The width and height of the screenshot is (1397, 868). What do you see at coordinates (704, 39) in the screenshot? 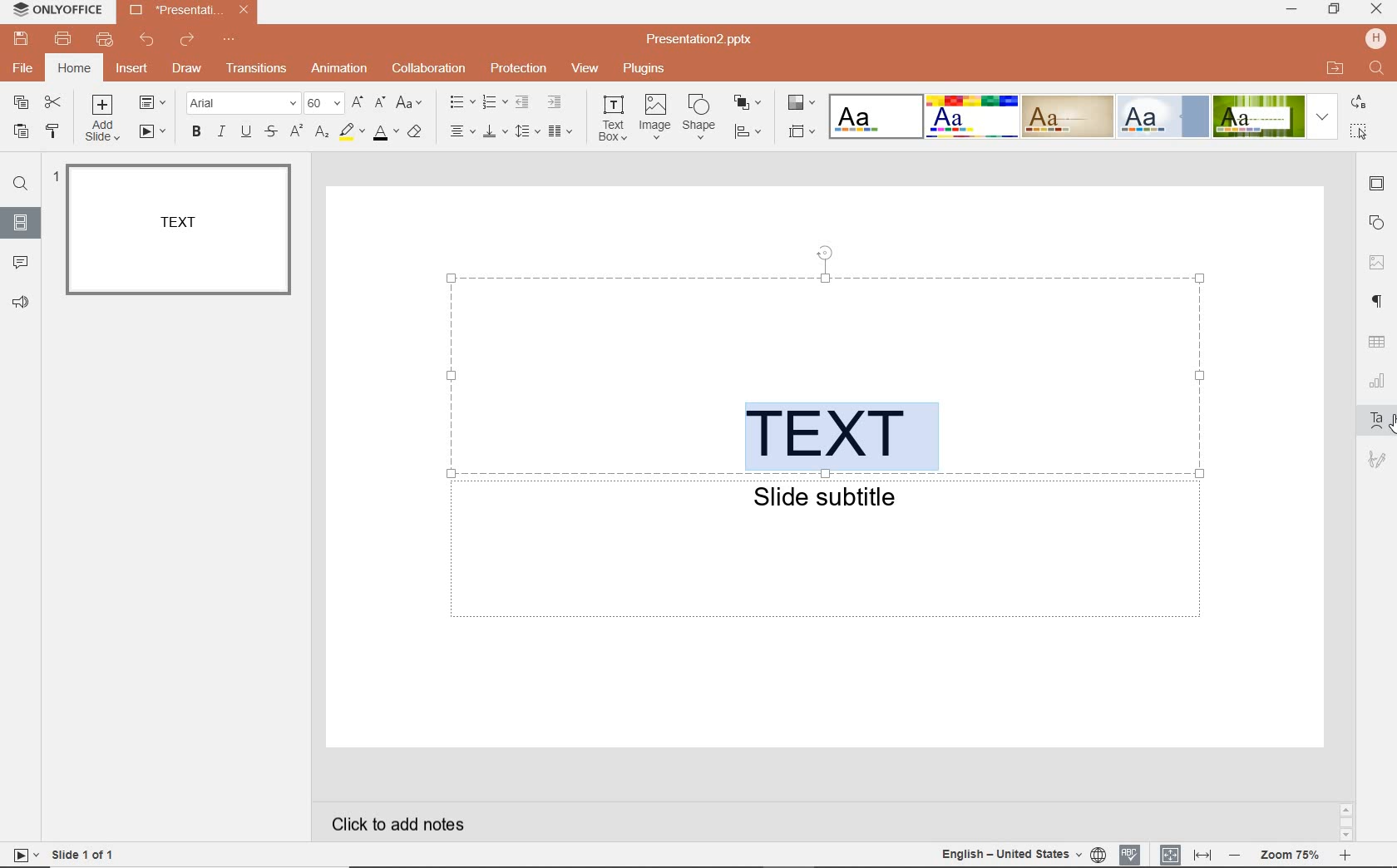
I see `FILE NAME` at bounding box center [704, 39].